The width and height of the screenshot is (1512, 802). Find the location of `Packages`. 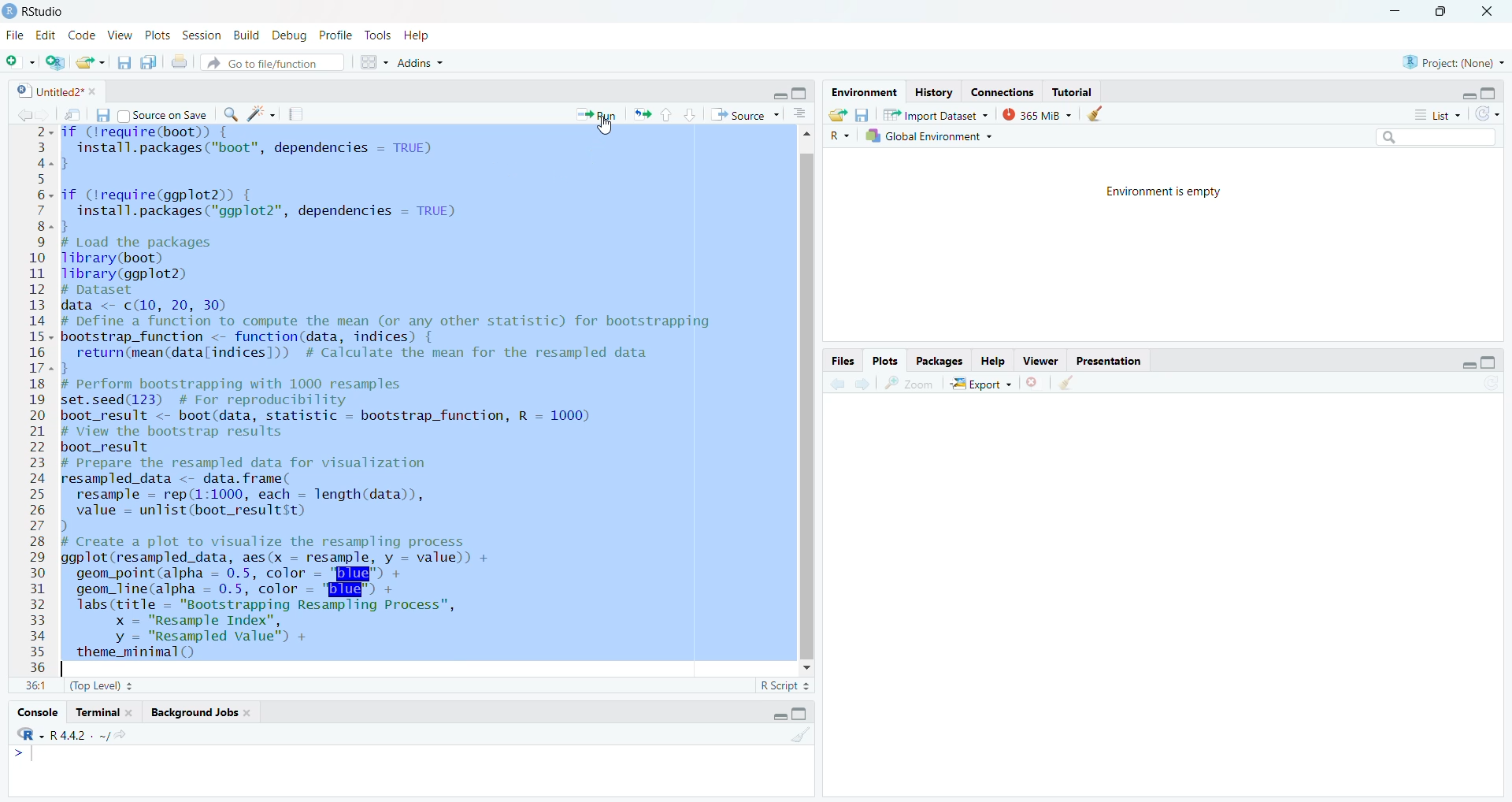

Packages is located at coordinates (939, 359).